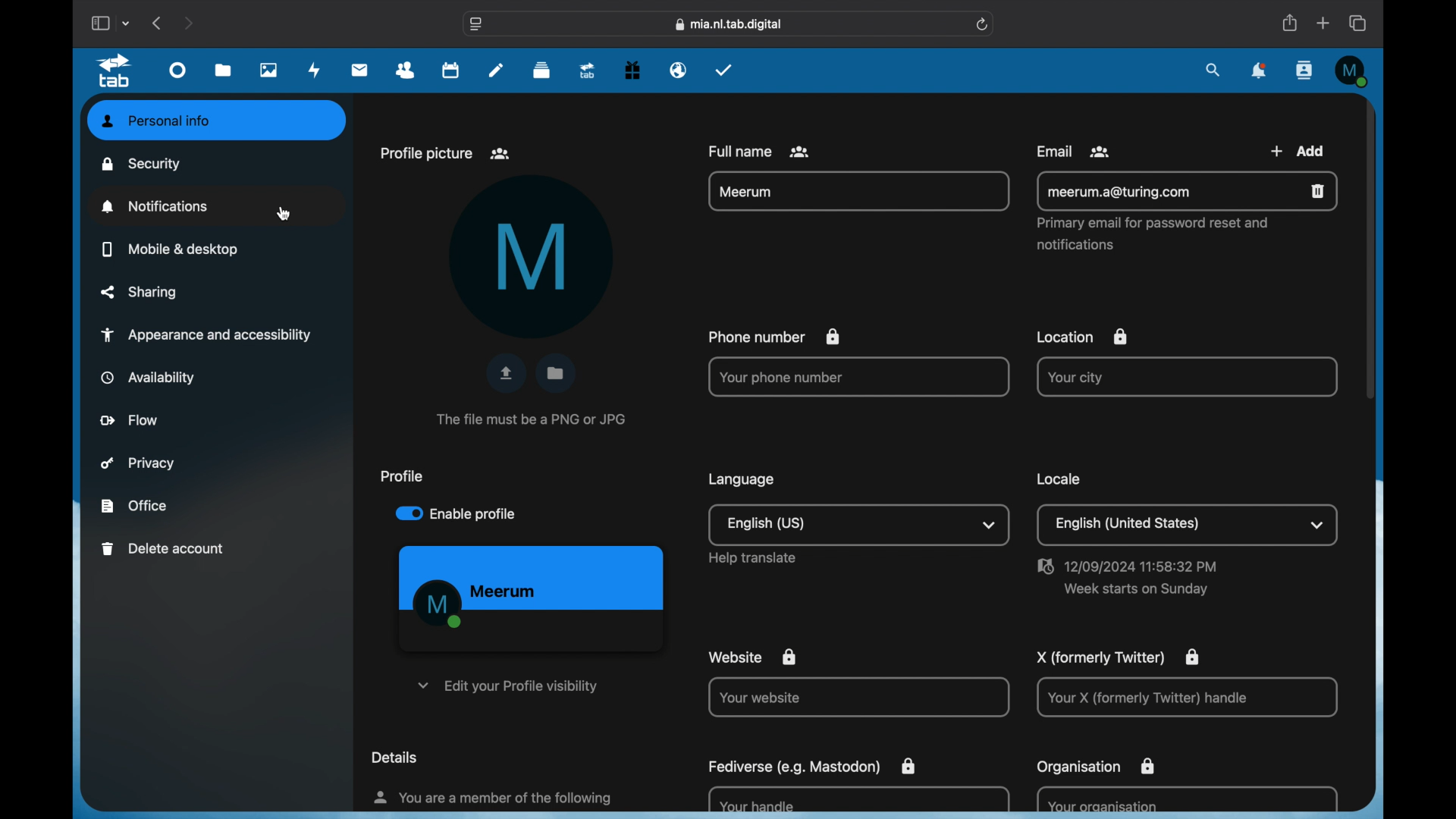 The image size is (1456, 819). Describe the element at coordinates (730, 24) in the screenshot. I see `web address` at that location.